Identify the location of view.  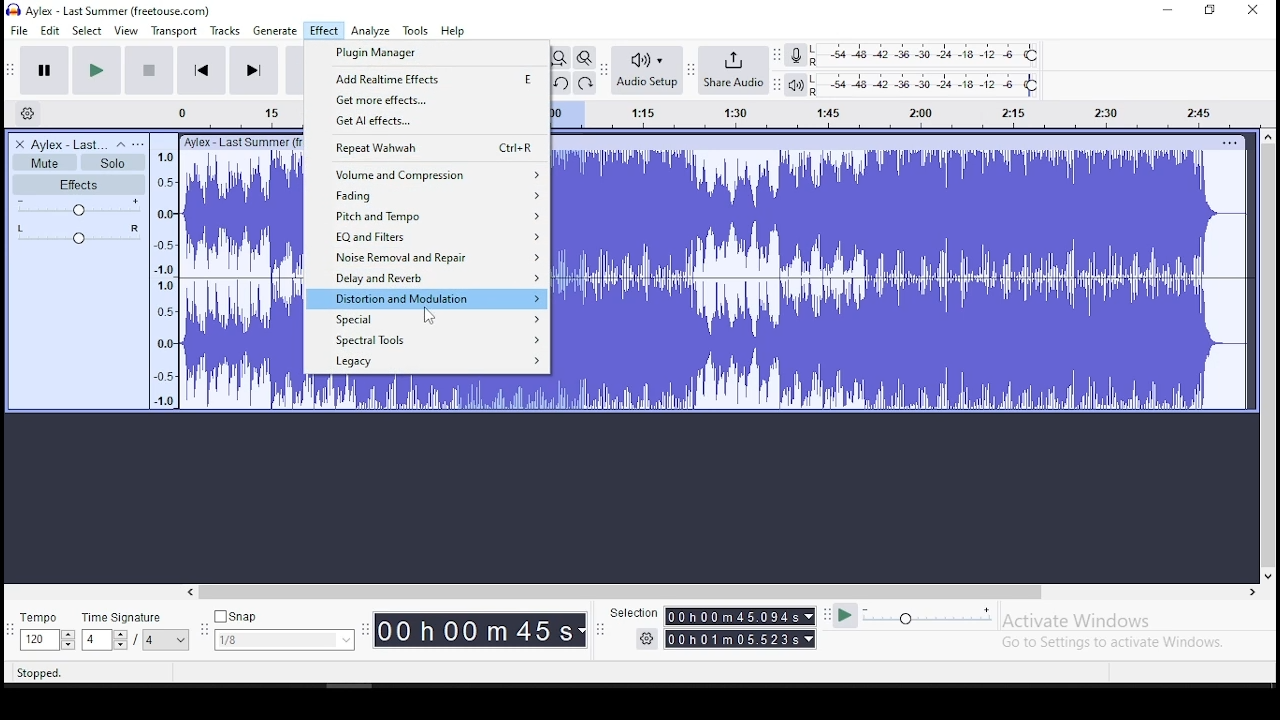
(127, 31).